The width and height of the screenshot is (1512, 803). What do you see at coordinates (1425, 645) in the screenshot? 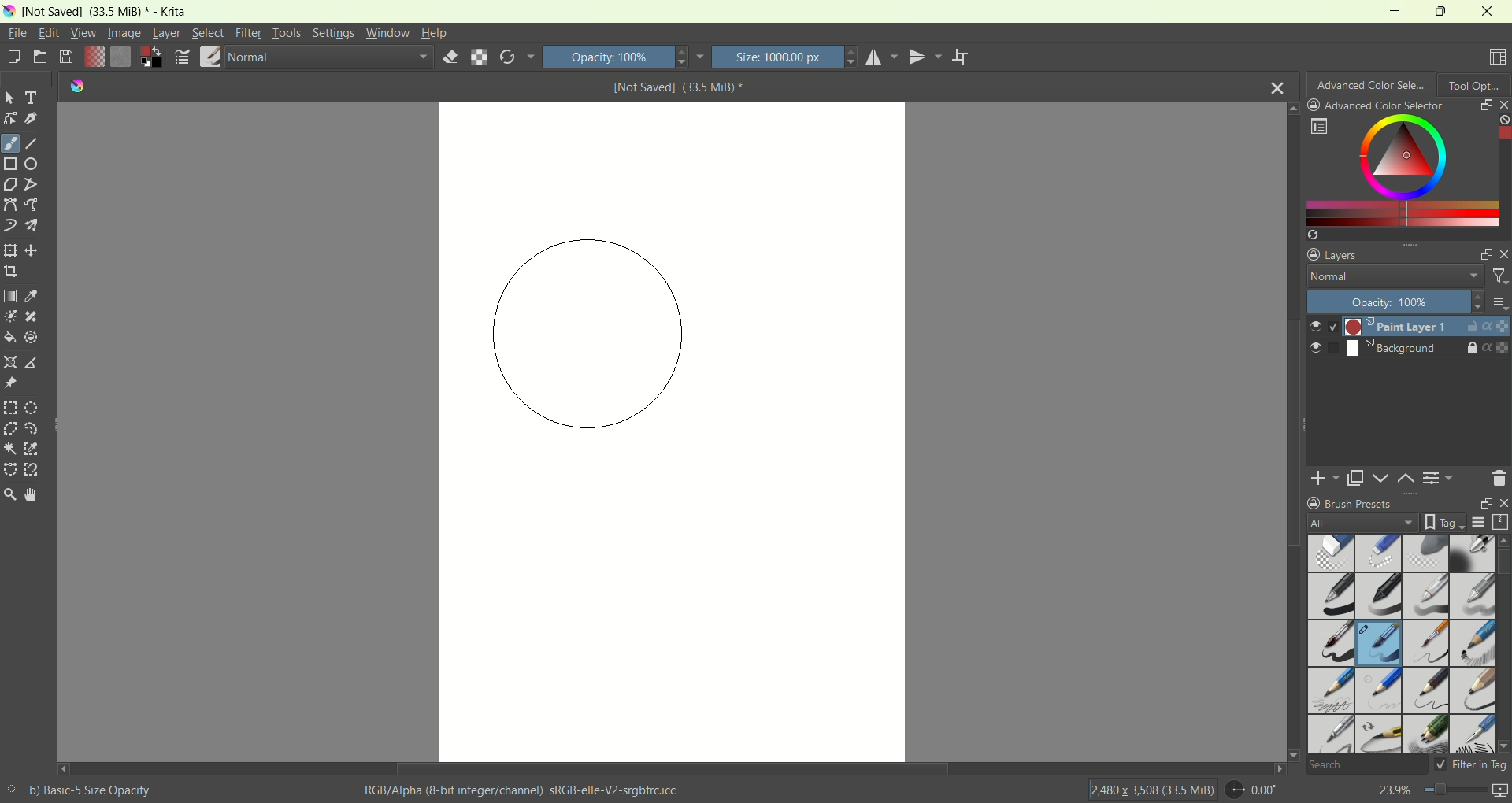
I see `basic 6` at bounding box center [1425, 645].